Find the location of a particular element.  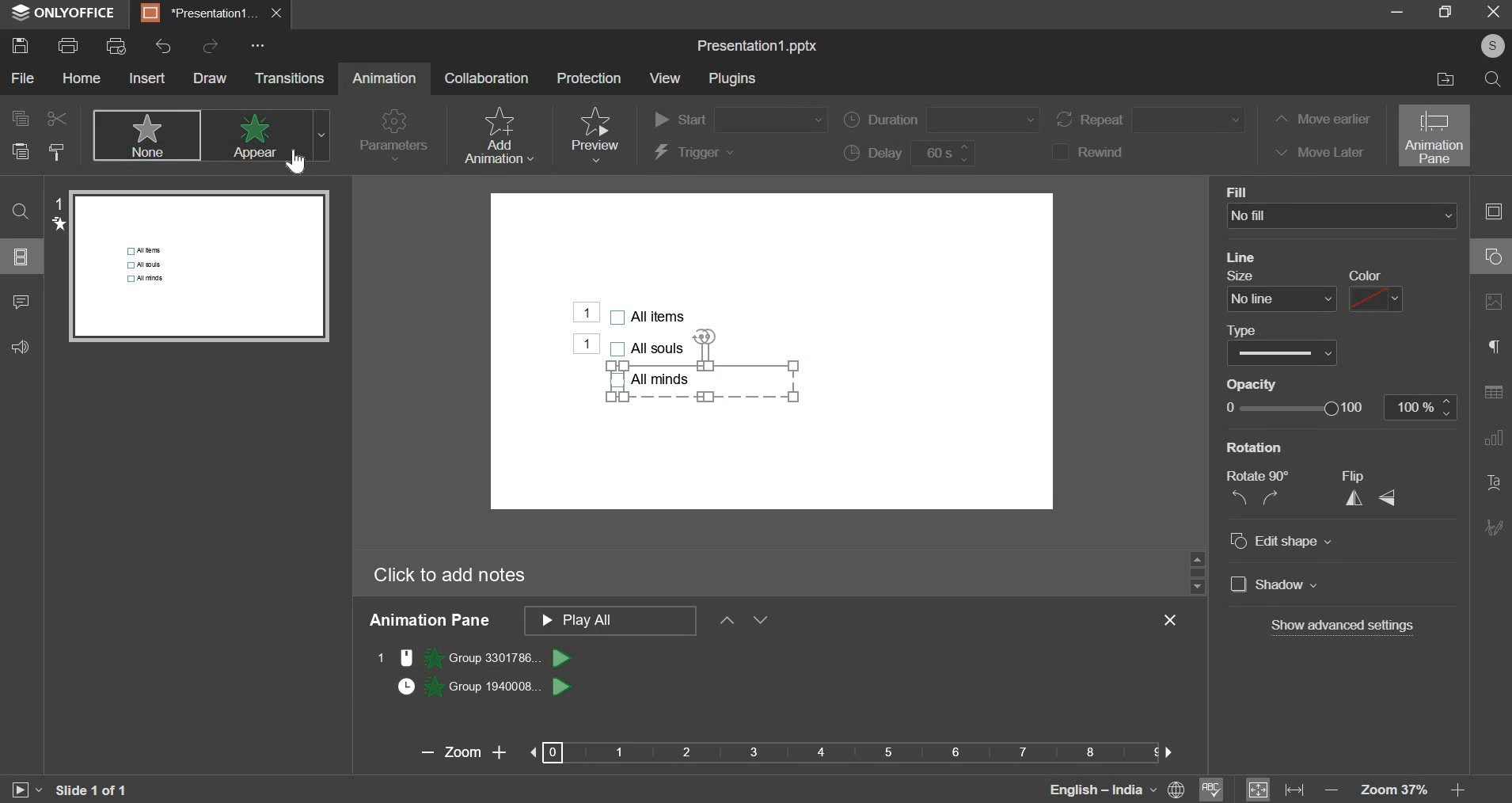

move ahead is located at coordinates (727, 618).